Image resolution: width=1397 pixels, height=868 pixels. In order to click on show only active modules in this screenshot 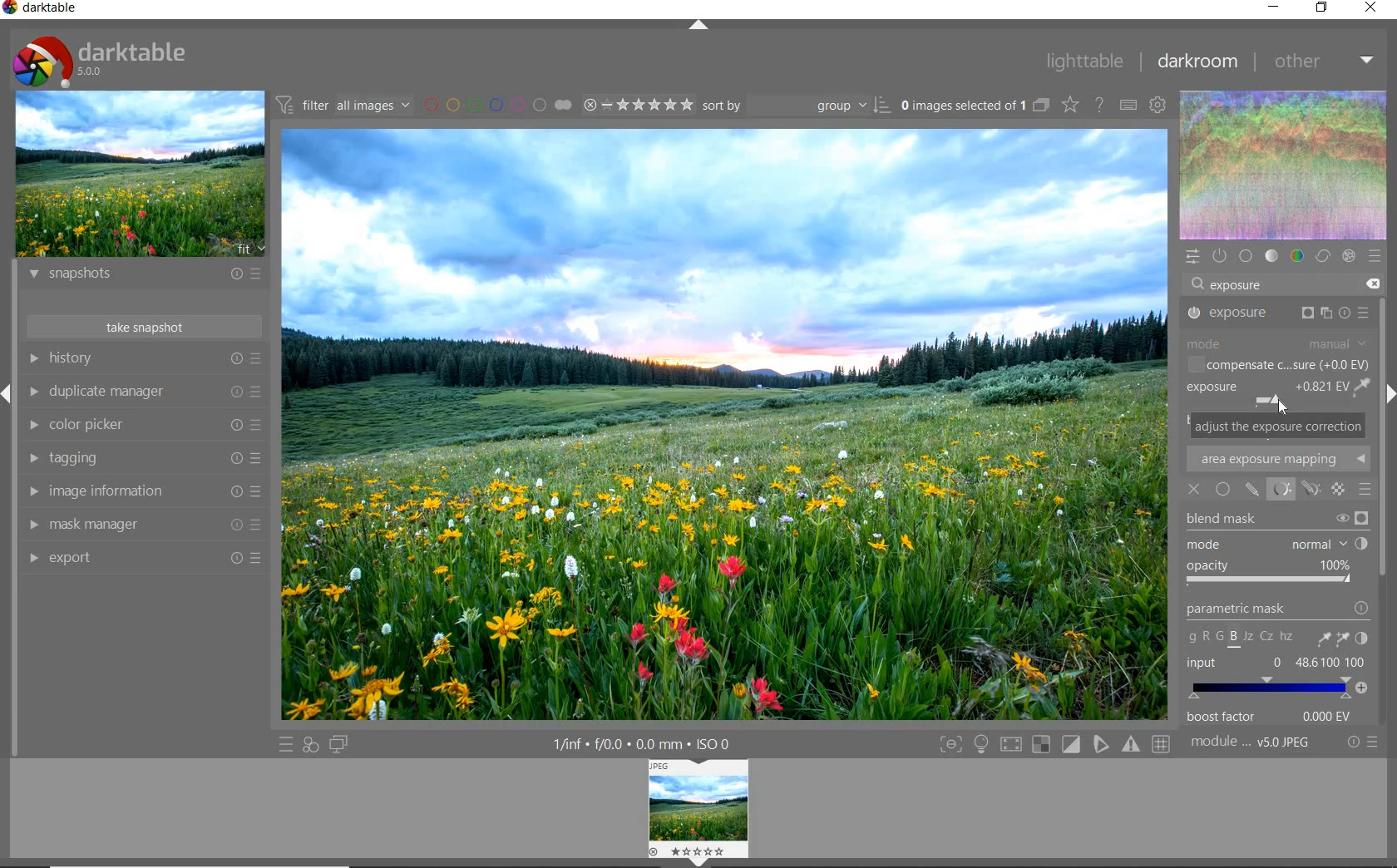, I will do `click(1218, 256)`.